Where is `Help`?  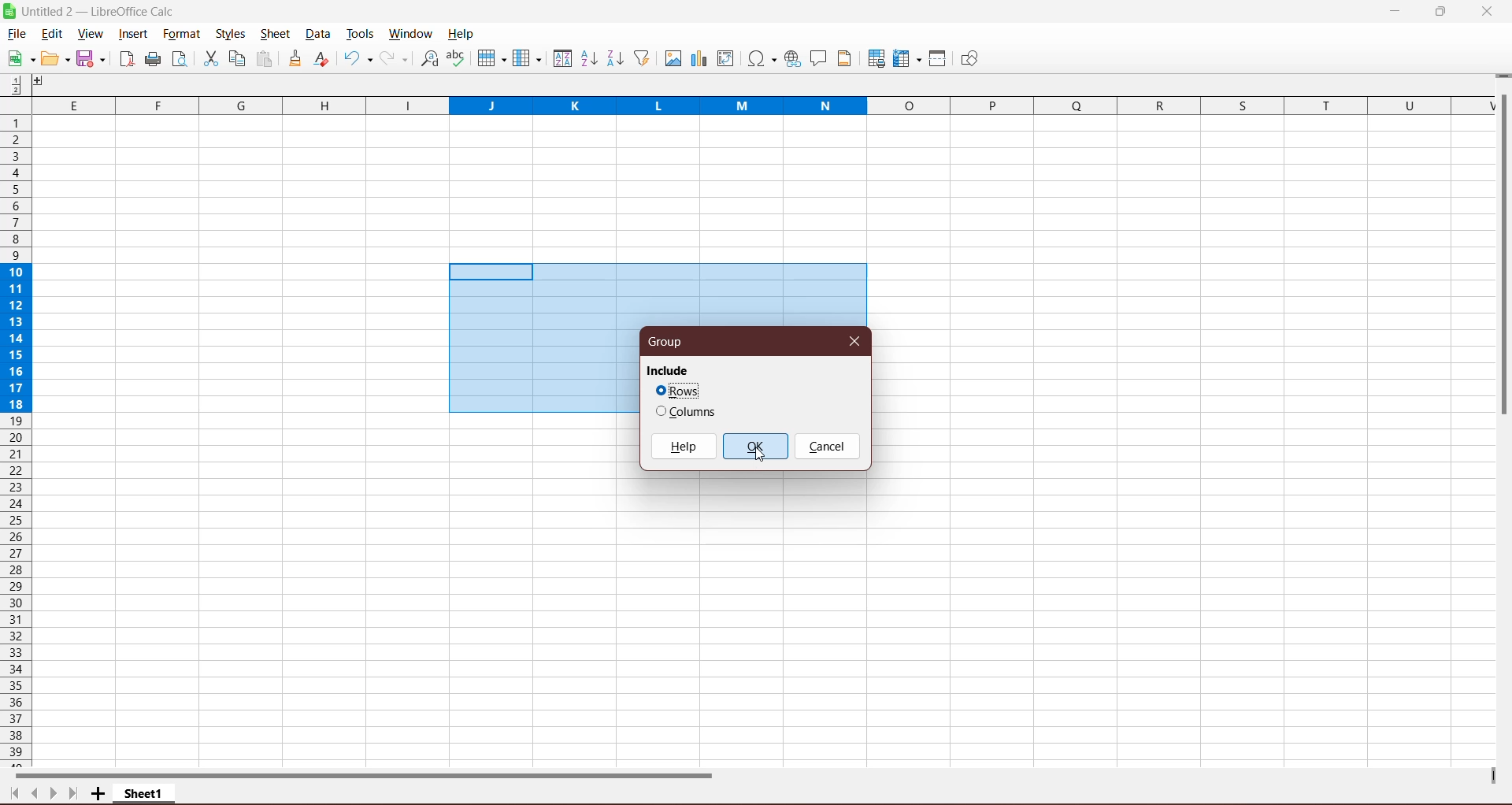
Help is located at coordinates (681, 446).